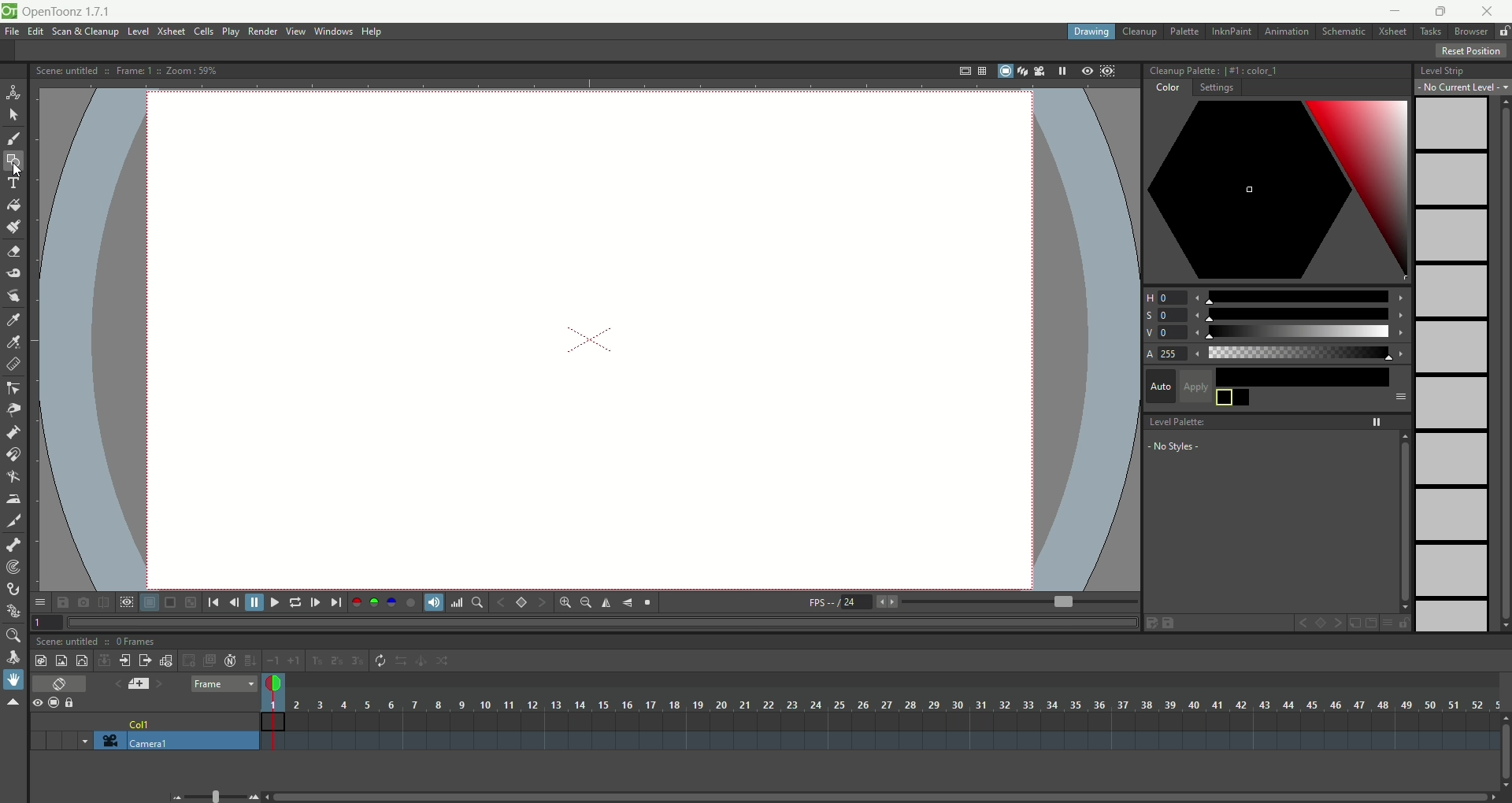  I want to click on reframe on 3's, so click(358, 661).